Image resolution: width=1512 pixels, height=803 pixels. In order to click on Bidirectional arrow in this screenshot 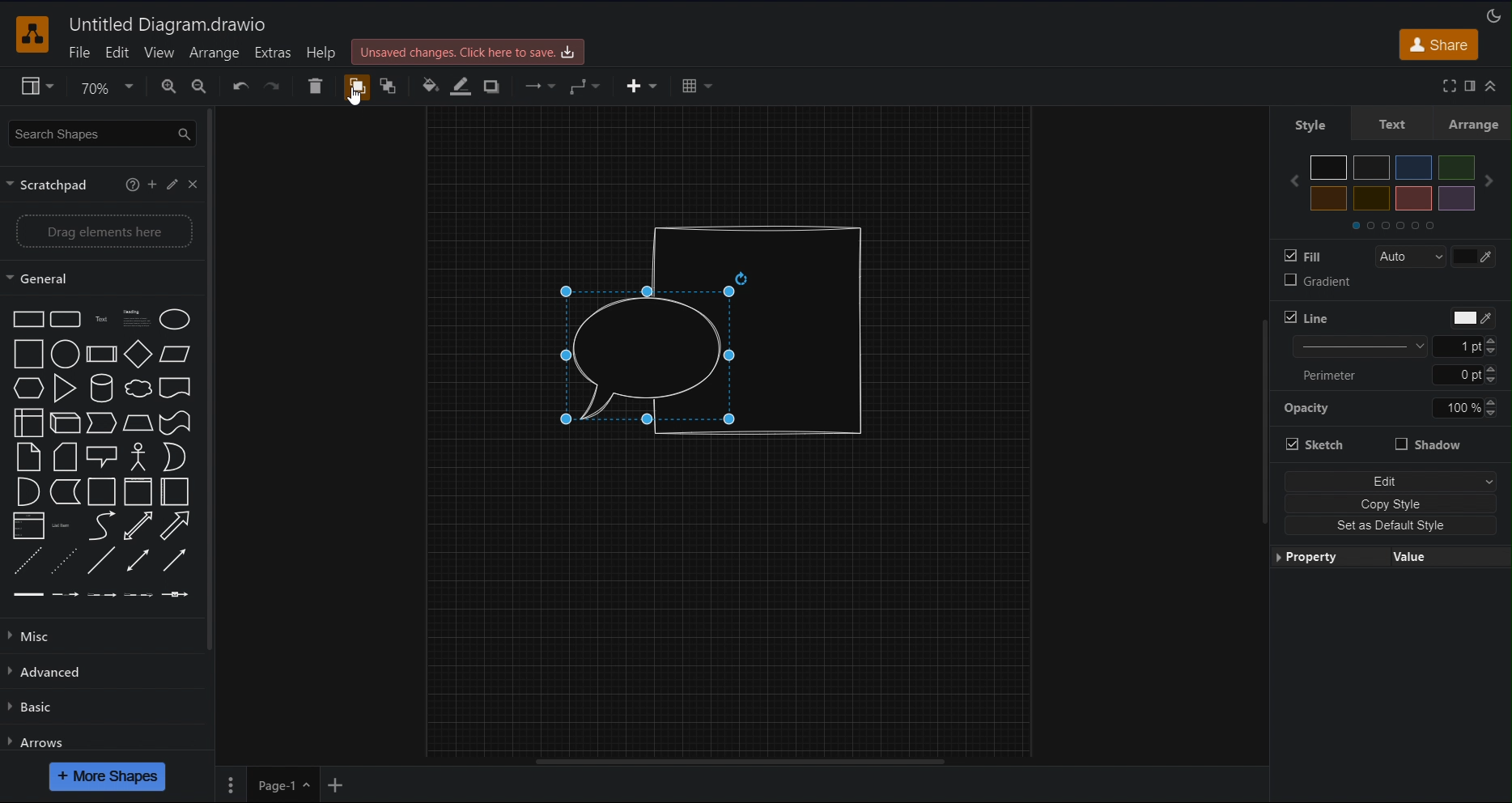, I will do `click(138, 525)`.